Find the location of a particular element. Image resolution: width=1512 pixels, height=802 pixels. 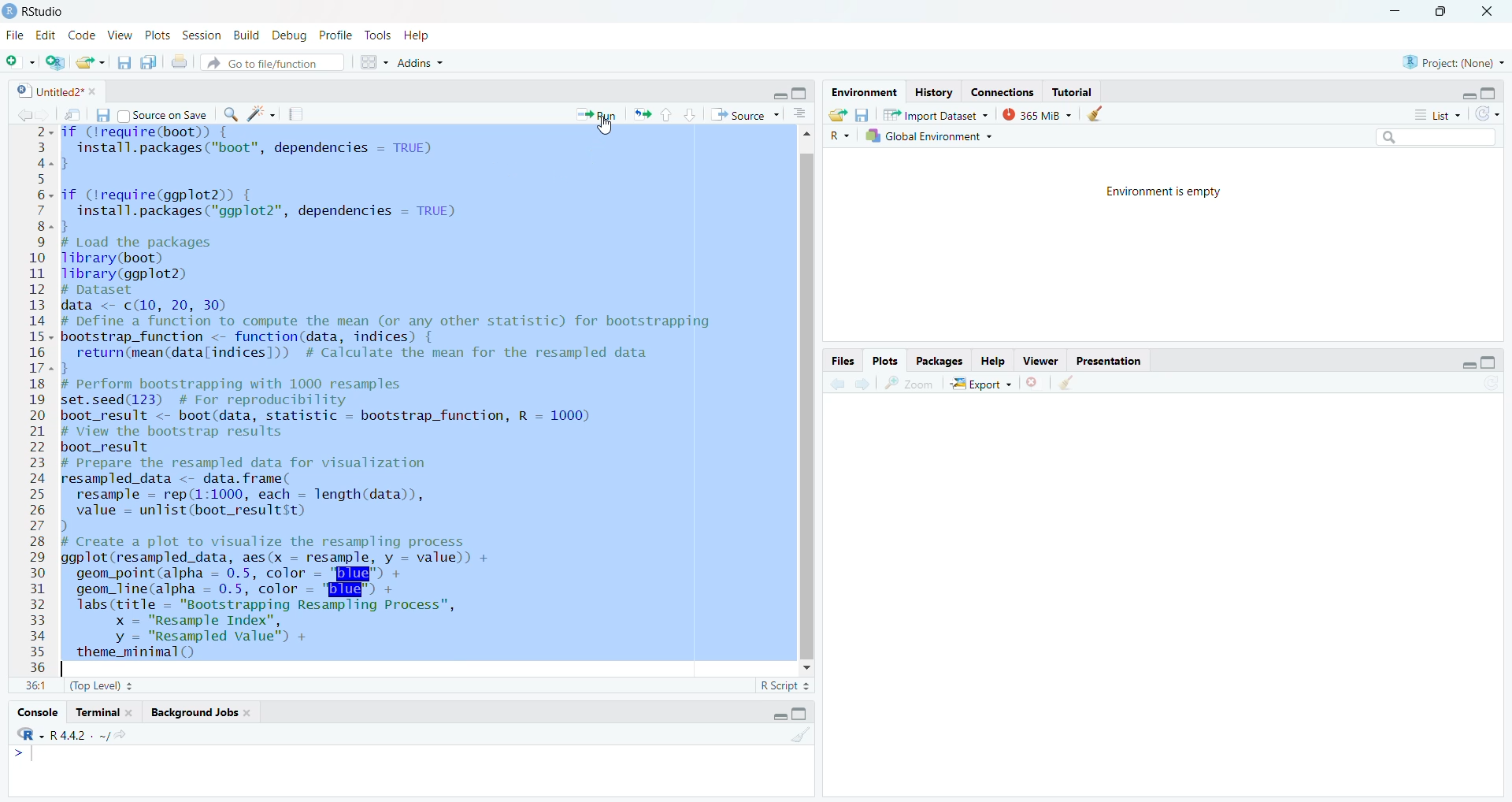

go to next section/chunk is located at coordinates (689, 114).